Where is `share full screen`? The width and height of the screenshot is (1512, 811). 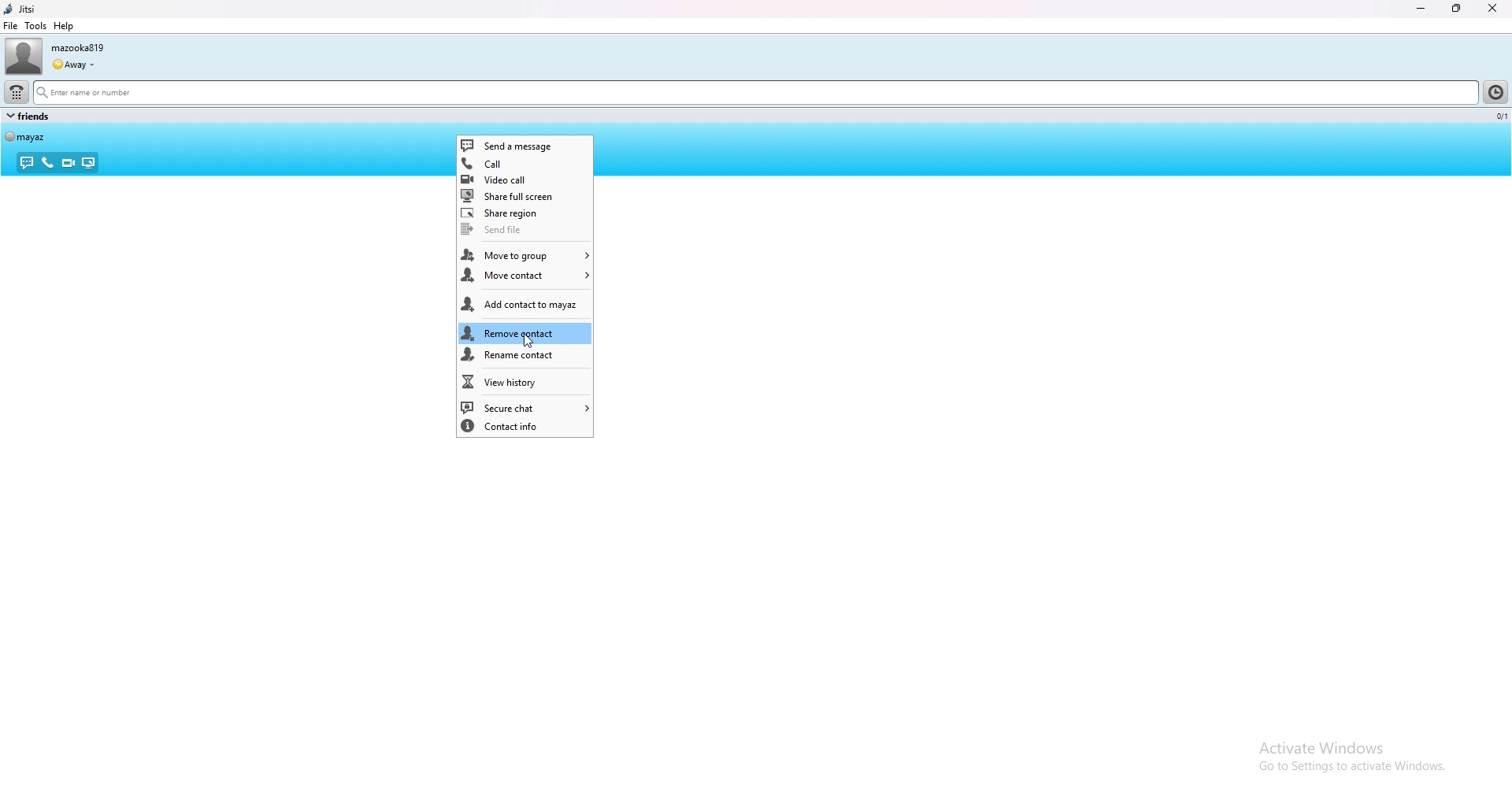
share full screen is located at coordinates (524, 197).